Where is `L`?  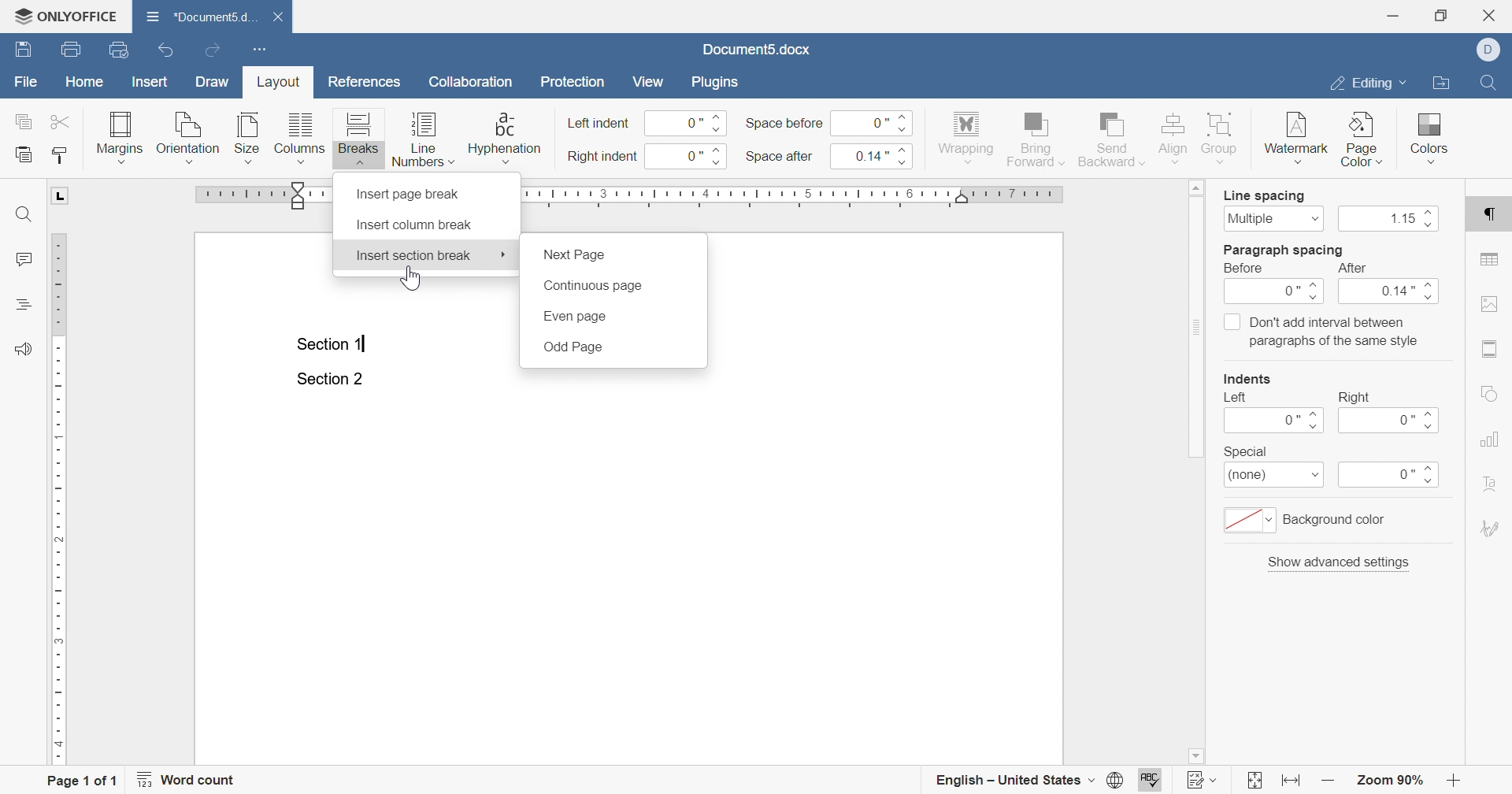
L is located at coordinates (61, 196).